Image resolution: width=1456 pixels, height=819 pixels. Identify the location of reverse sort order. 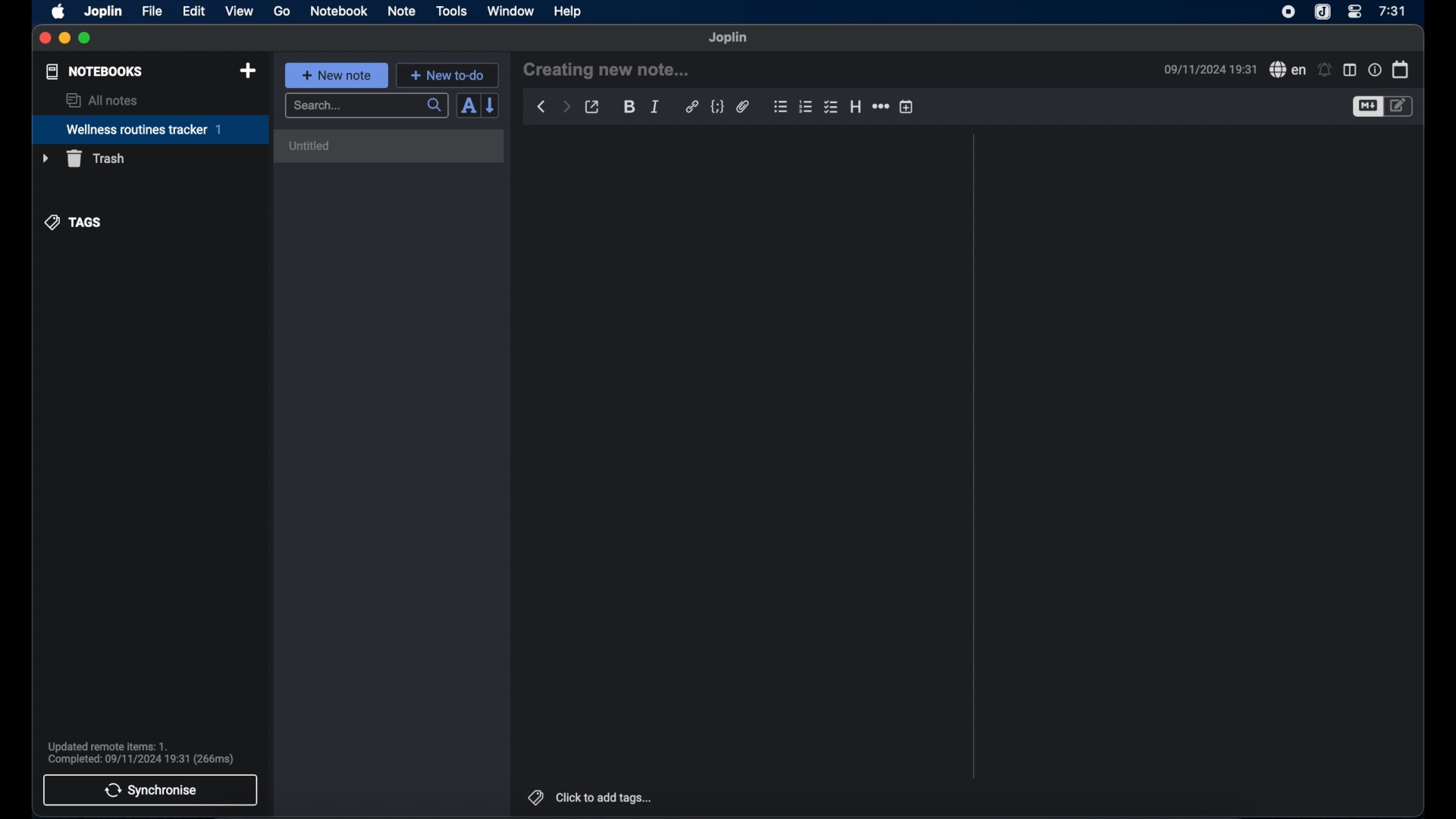
(491, 105).